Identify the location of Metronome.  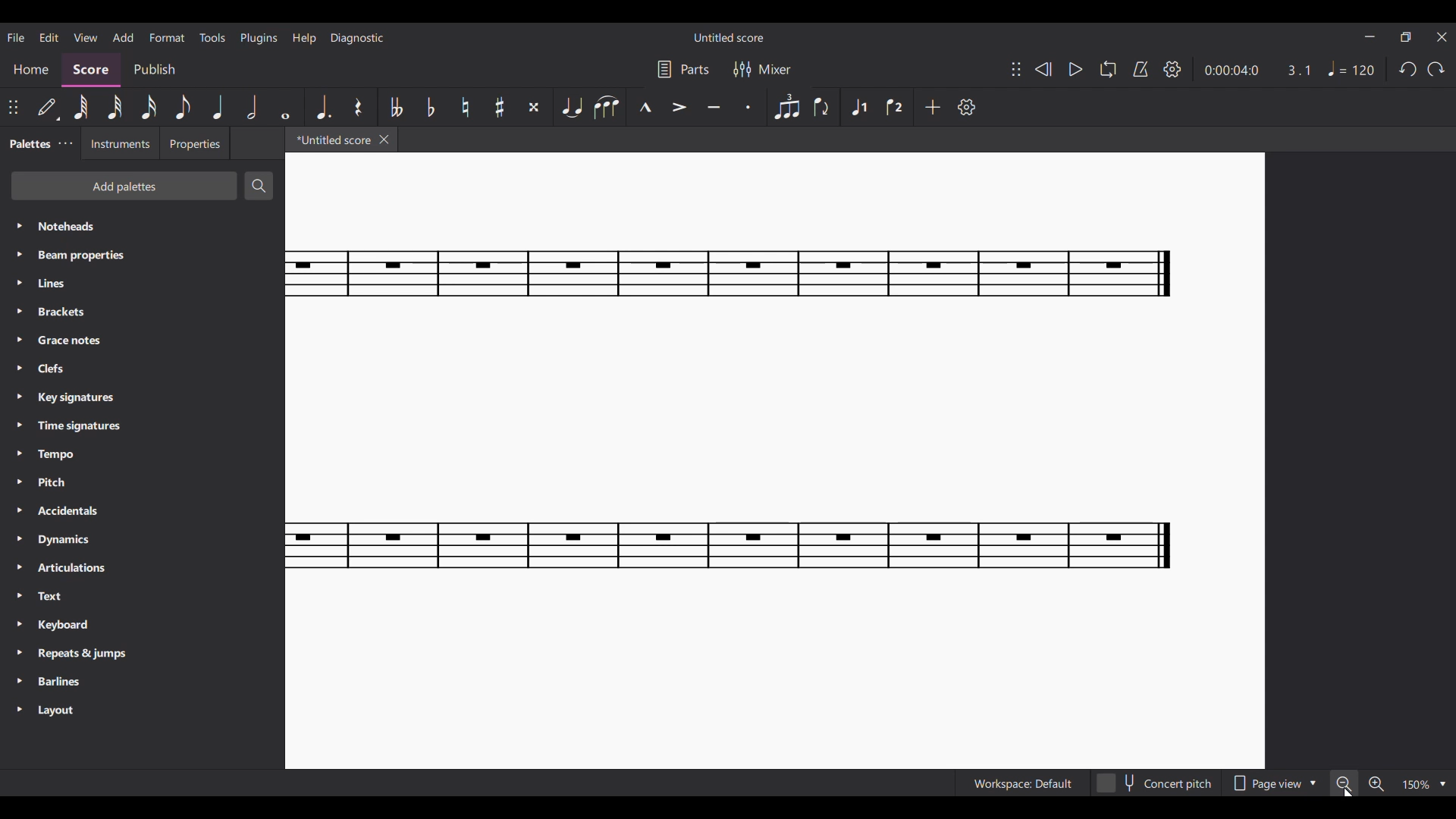
(1141, 69).